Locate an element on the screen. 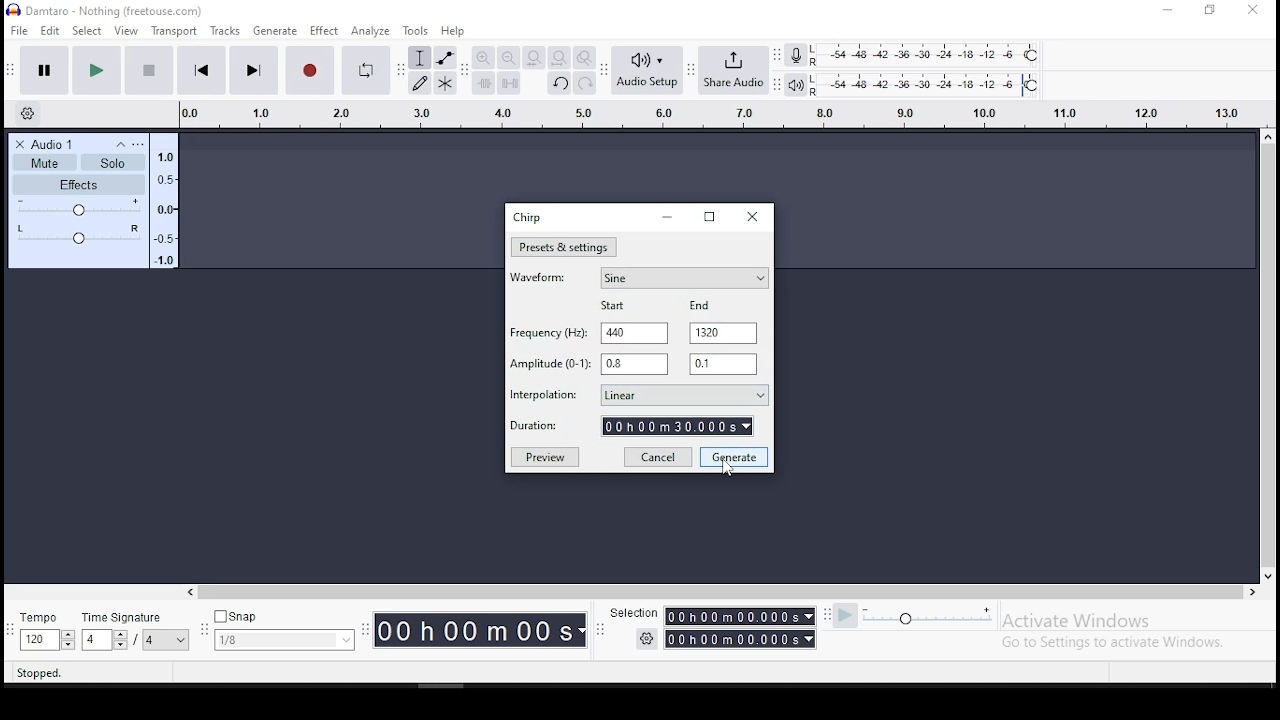  zoom out is located at coordinates (508, 57).